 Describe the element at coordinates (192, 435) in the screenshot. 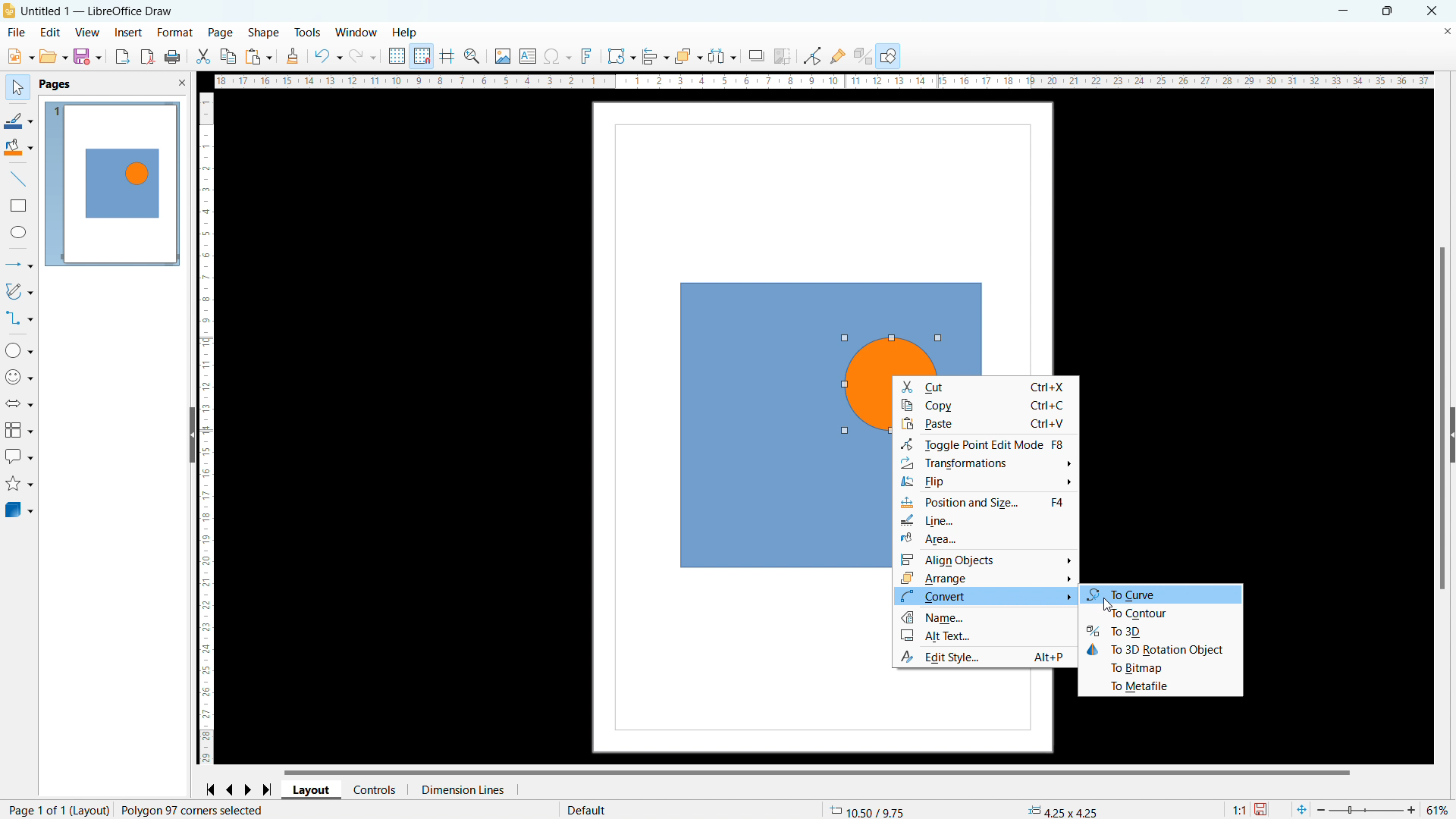

I see `hide pane` at that location.